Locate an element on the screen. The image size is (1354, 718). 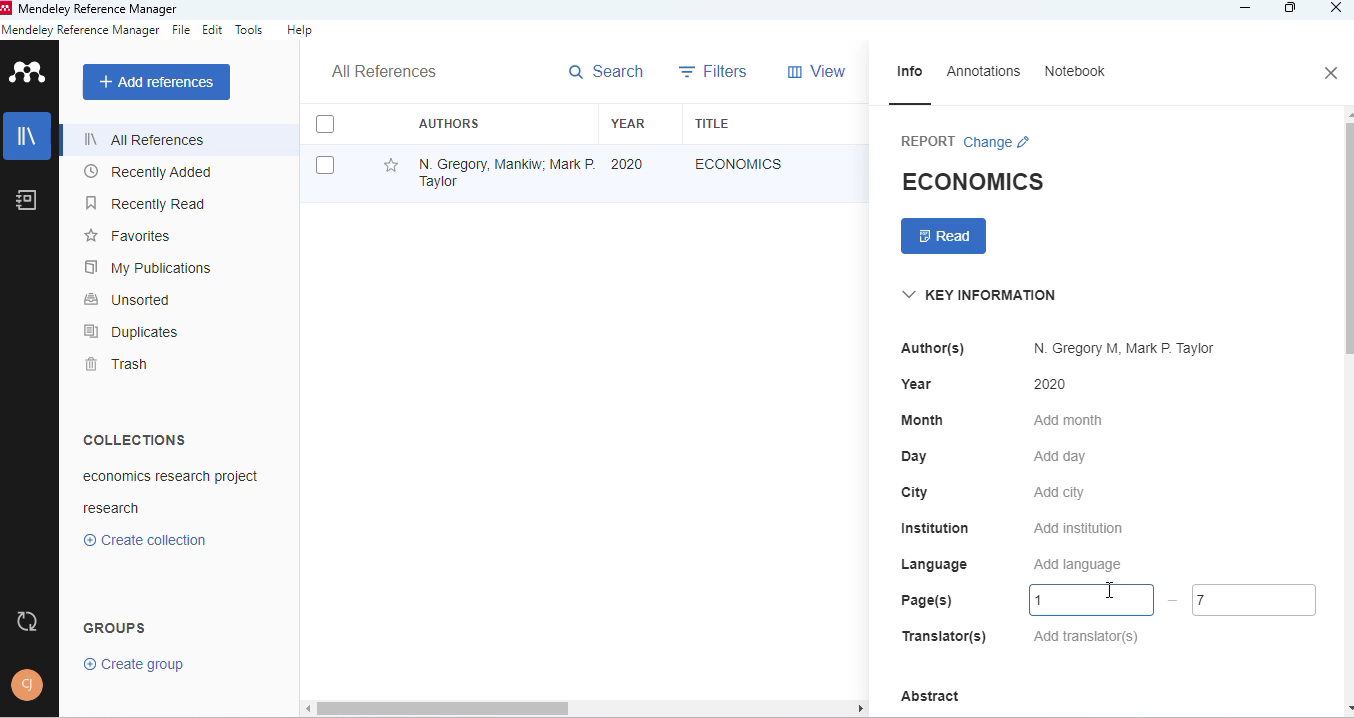
add references is located at coordinates (158, 82).